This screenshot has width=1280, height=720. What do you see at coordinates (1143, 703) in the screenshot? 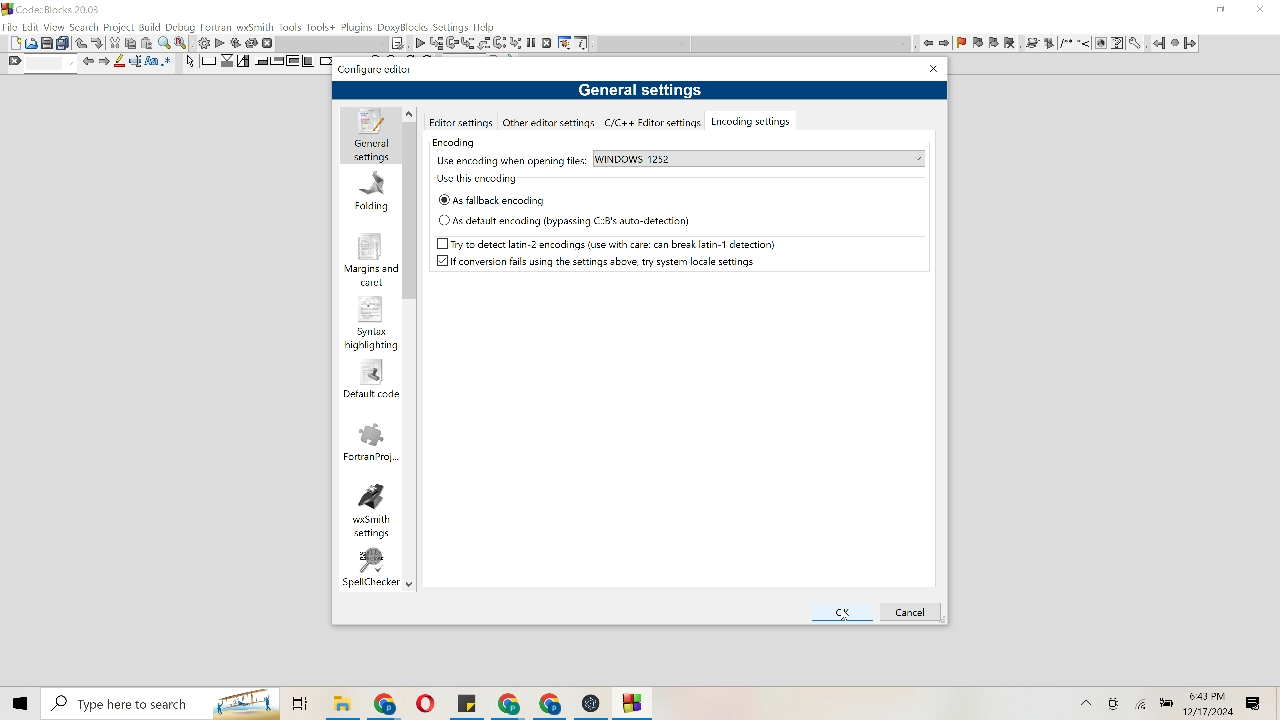
I see `Wifi` at bounding box center [1143, 703].